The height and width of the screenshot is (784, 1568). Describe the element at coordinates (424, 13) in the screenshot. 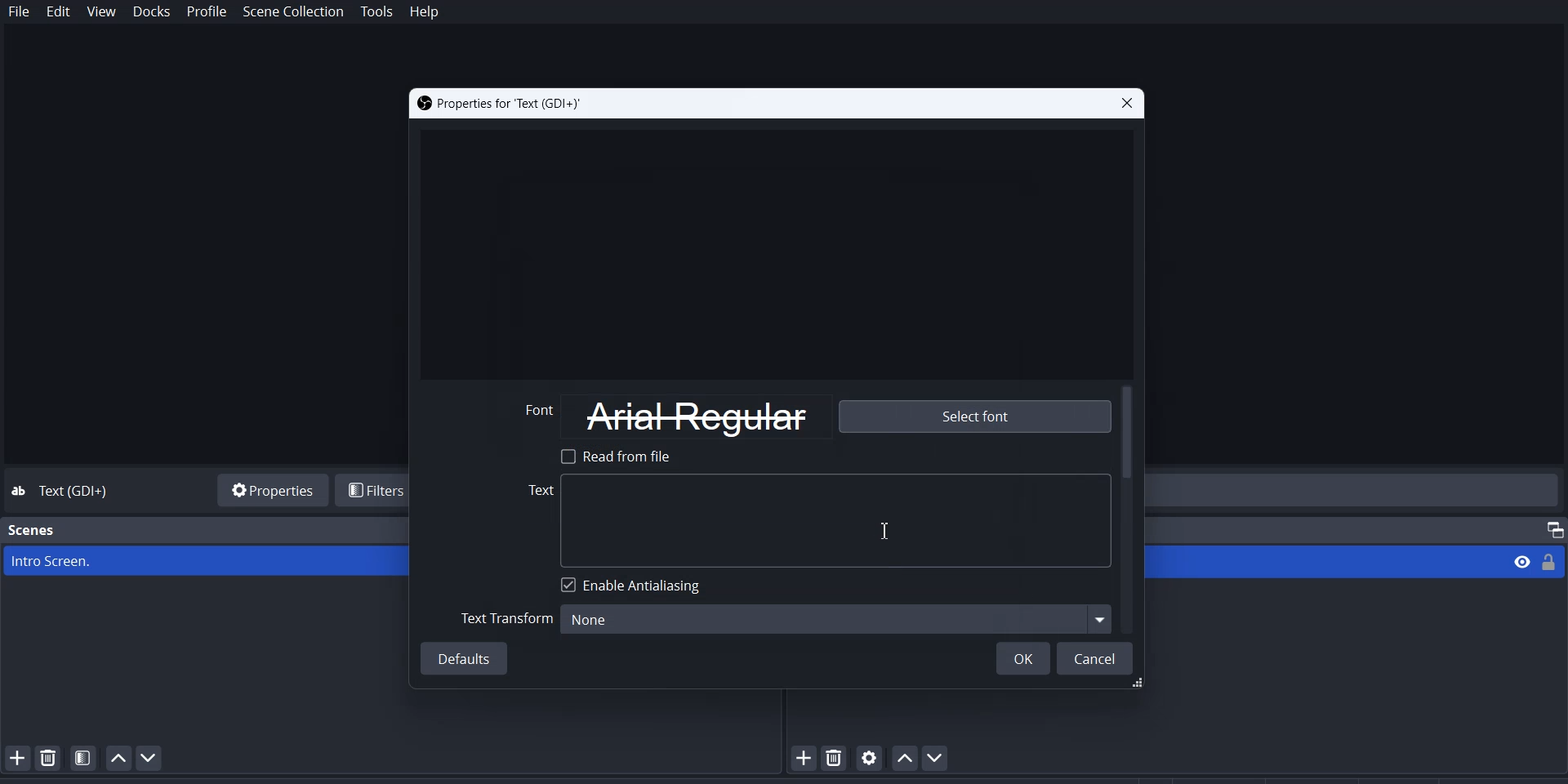

I see `Help` at that location.